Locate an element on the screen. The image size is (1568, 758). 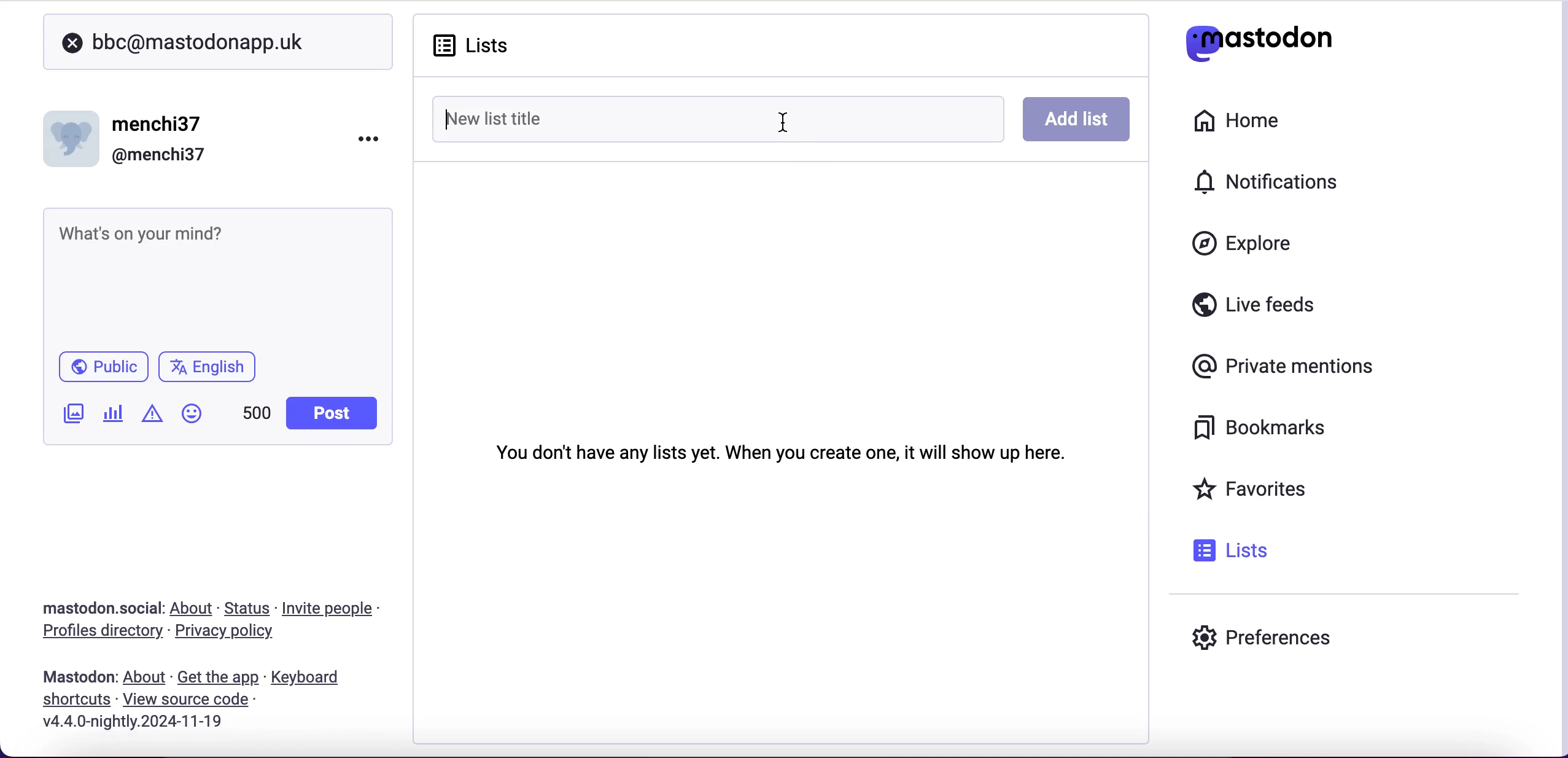
you don't have any lists yet is located at coordinates (780, 450).